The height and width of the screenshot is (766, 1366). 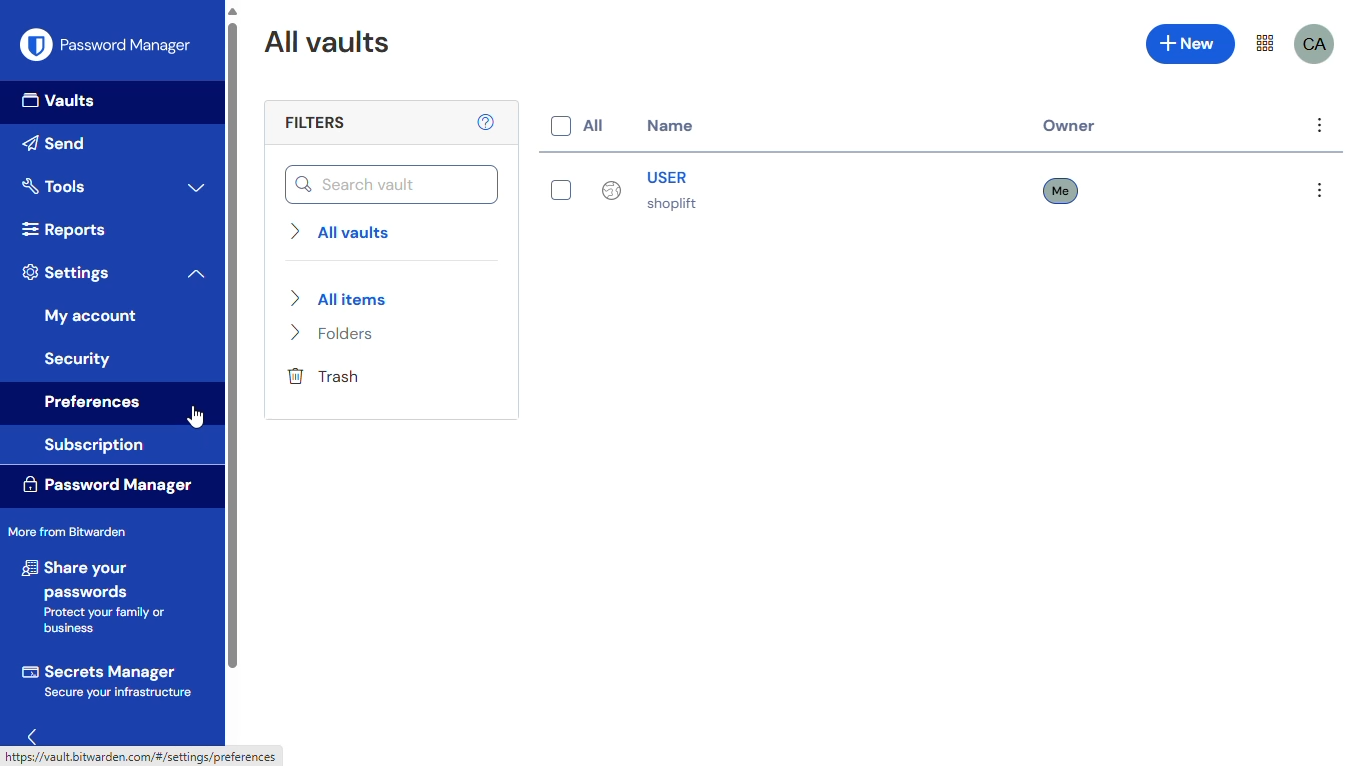 I want to click on folders, so click(x=336, y=334).